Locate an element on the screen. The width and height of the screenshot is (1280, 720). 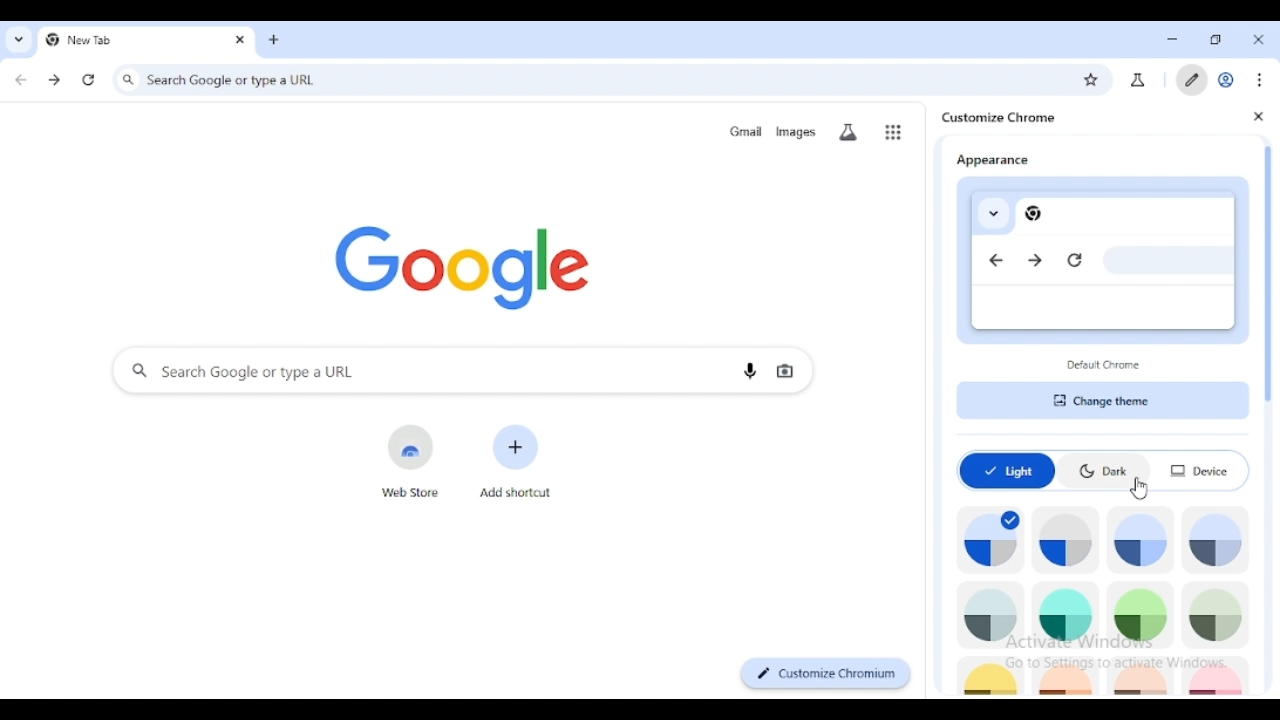
add shortcut is located at coordinates (514, 461).